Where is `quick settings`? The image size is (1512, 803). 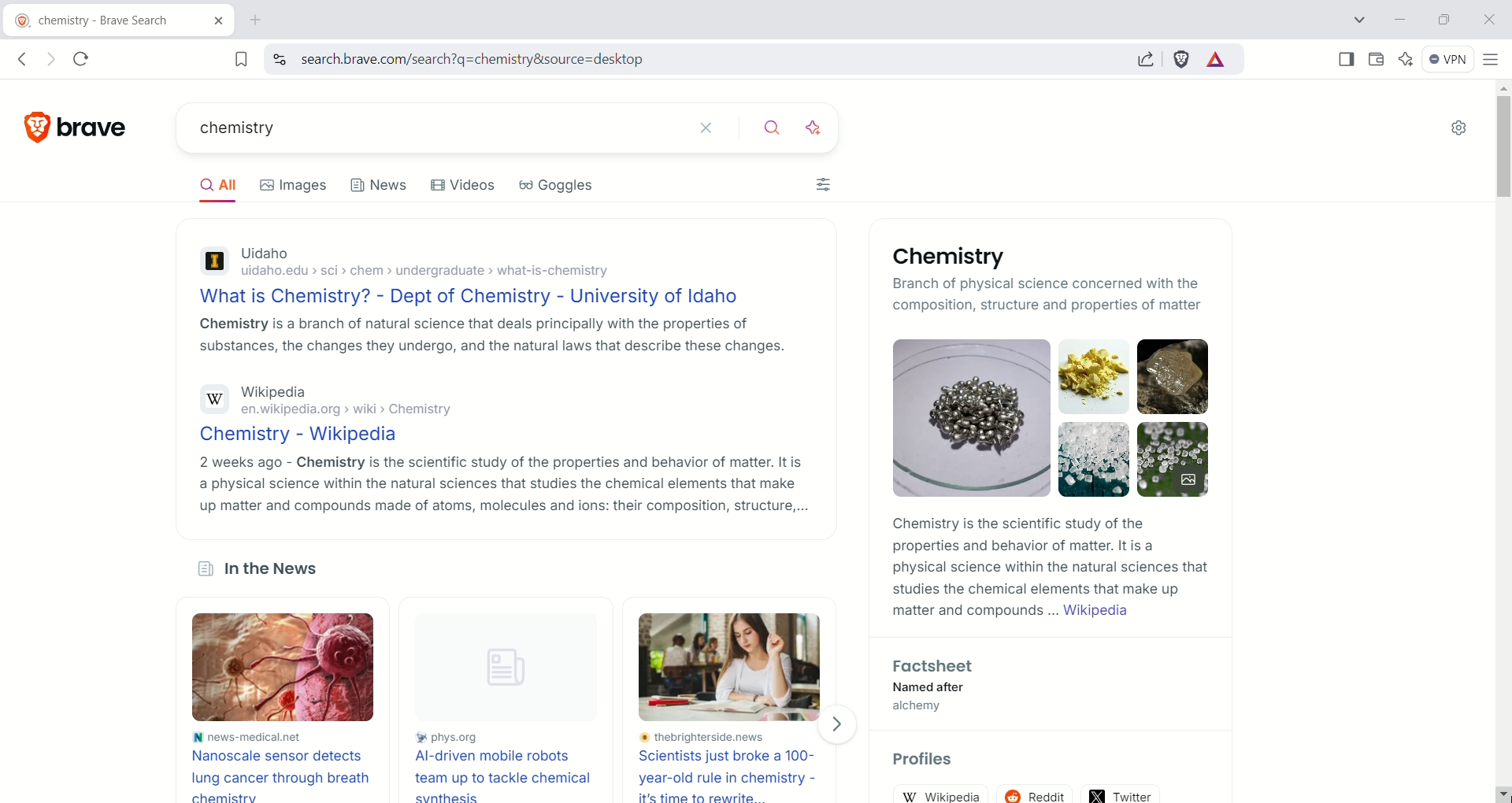 quick settings is located at coordinates (1458, 129).